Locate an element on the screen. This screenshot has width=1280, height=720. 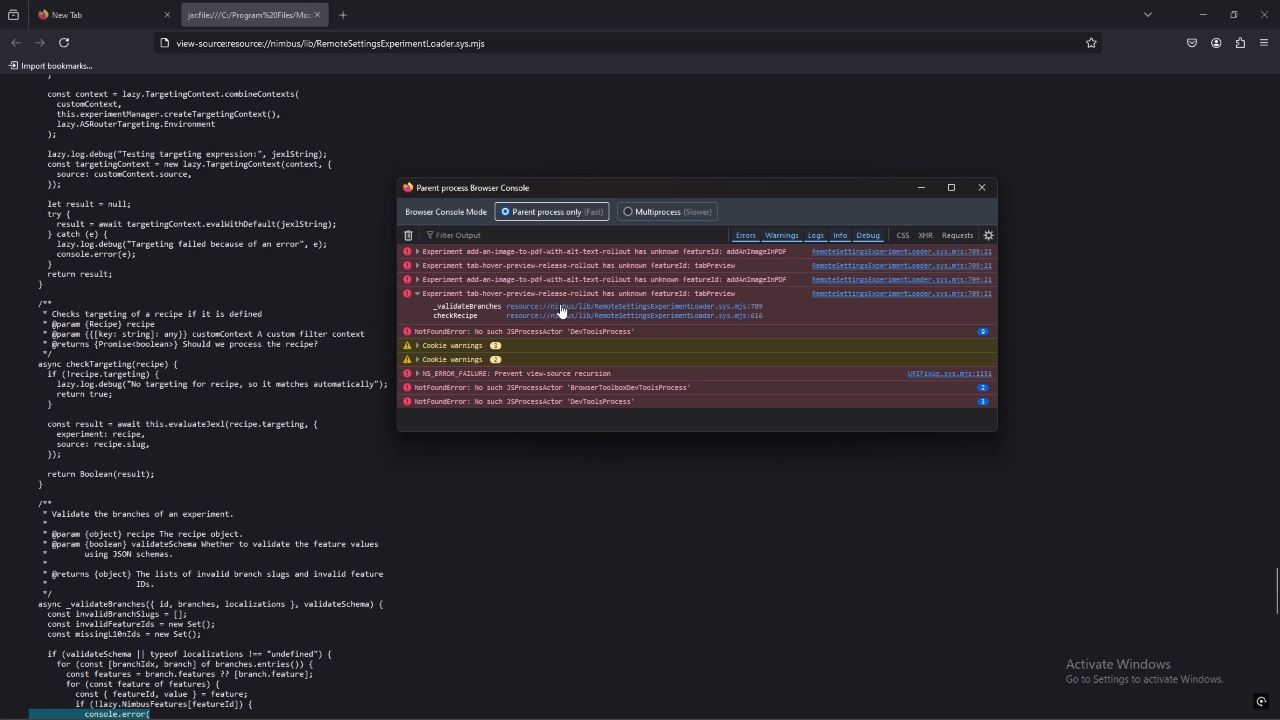
back is located at coordinates (17, 41).